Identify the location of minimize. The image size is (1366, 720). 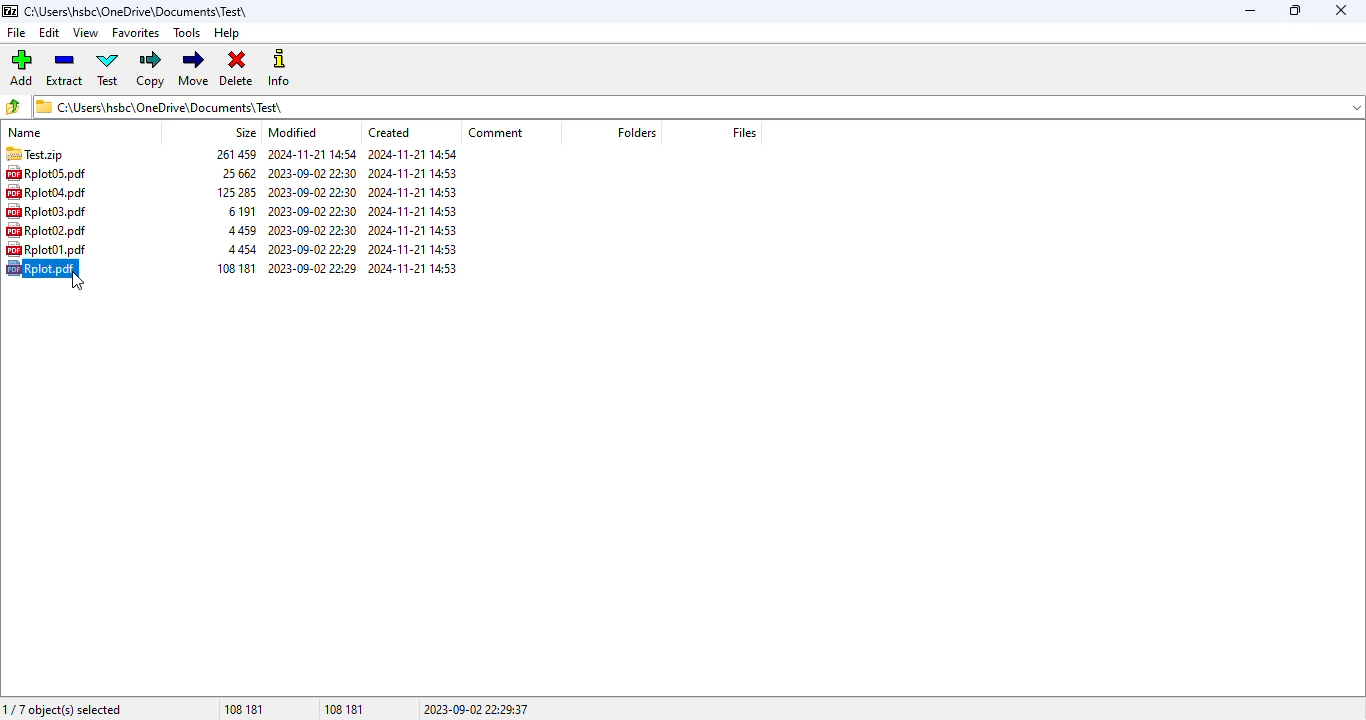
(1251, 11).